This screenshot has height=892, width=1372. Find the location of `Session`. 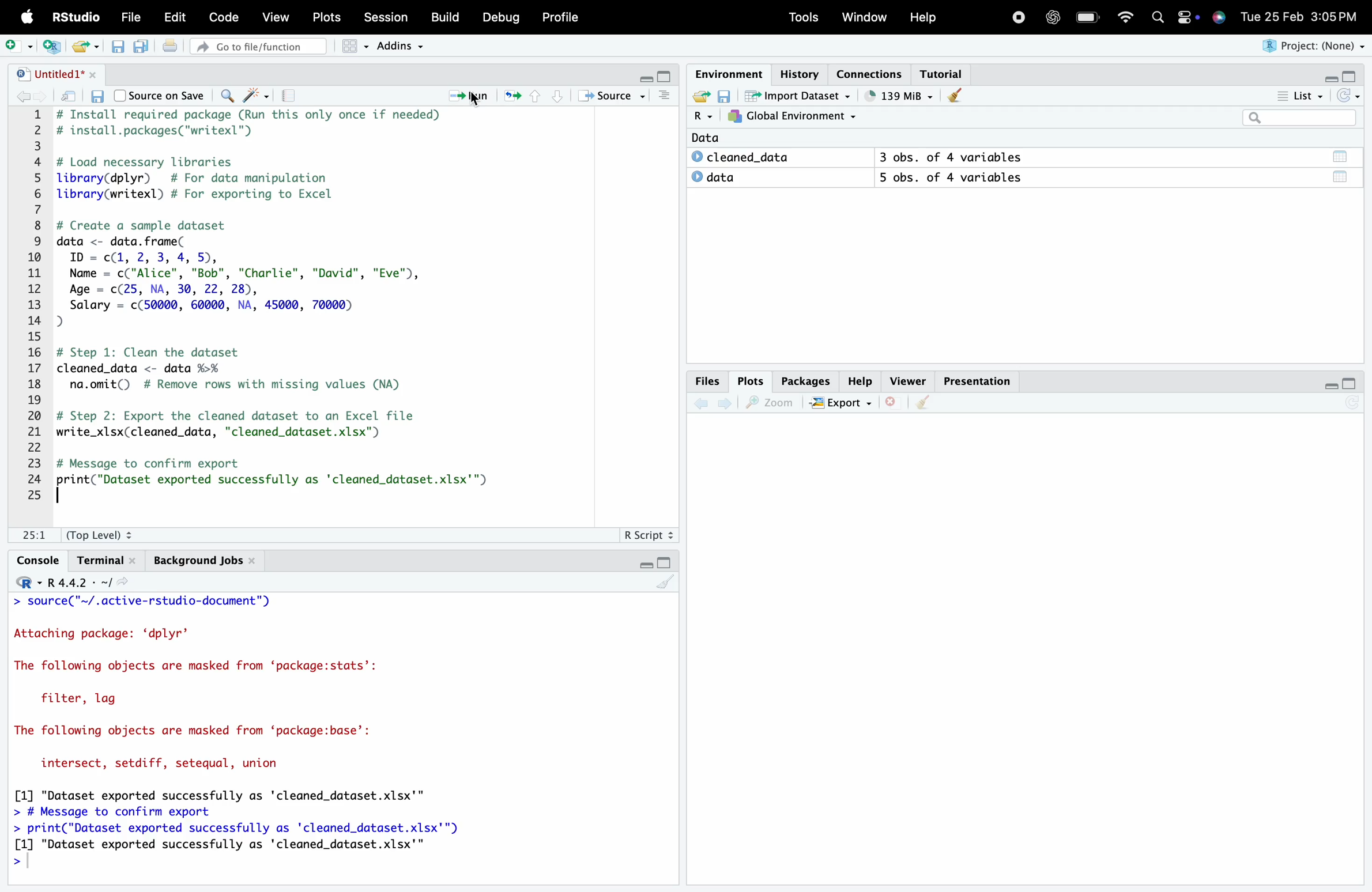

Session is located at coordinates (385, 19).